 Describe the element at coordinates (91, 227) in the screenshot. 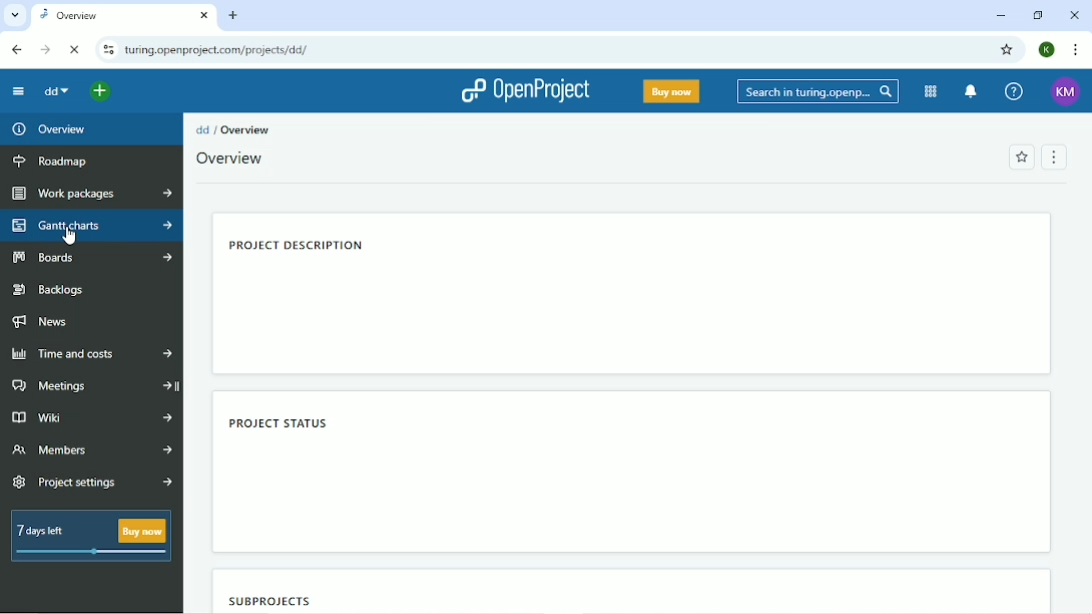

I see `Gantt charts` at that location.